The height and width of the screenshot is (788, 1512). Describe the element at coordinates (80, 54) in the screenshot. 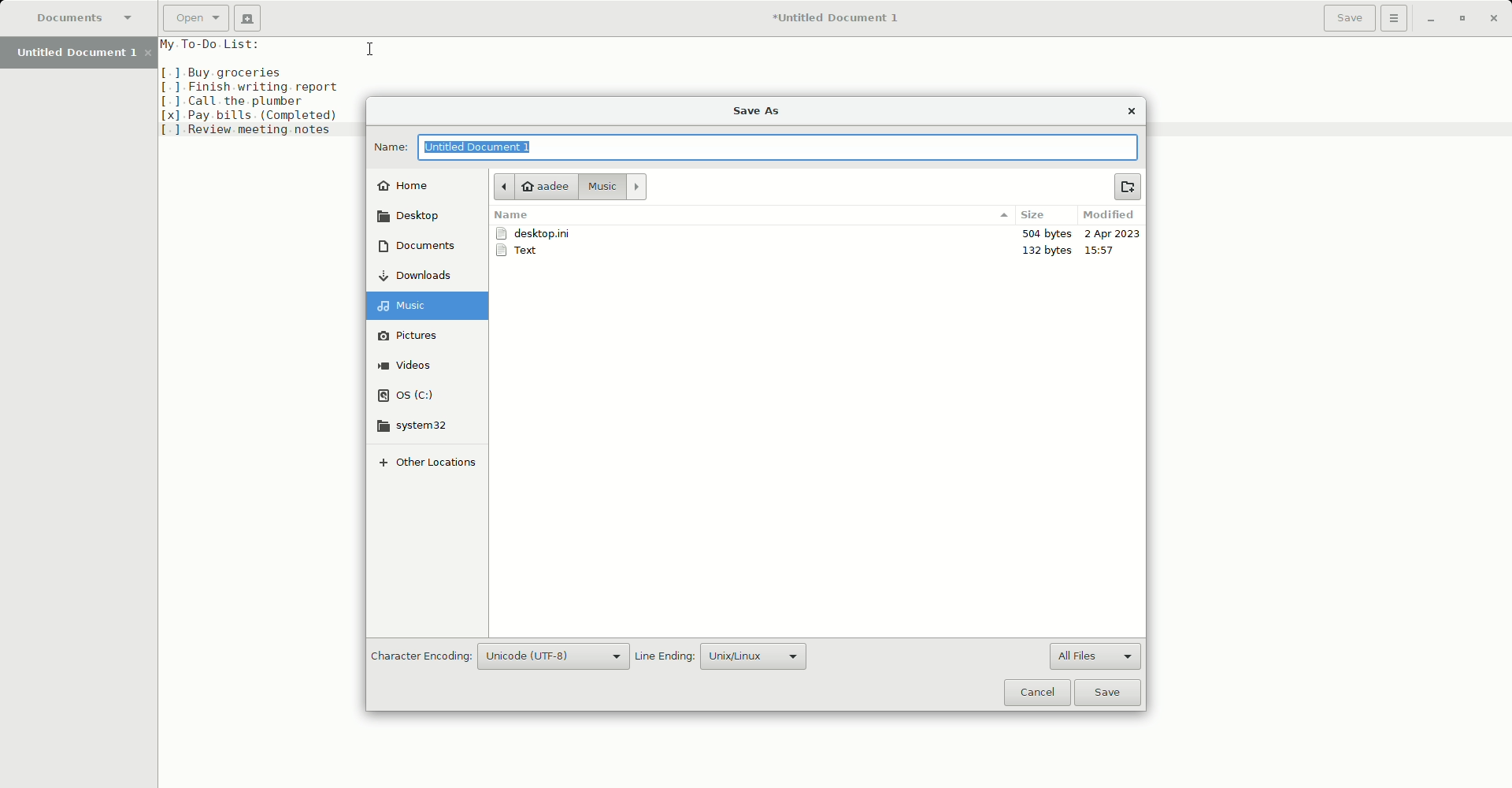

I see `Untitled Document 1` at that location.